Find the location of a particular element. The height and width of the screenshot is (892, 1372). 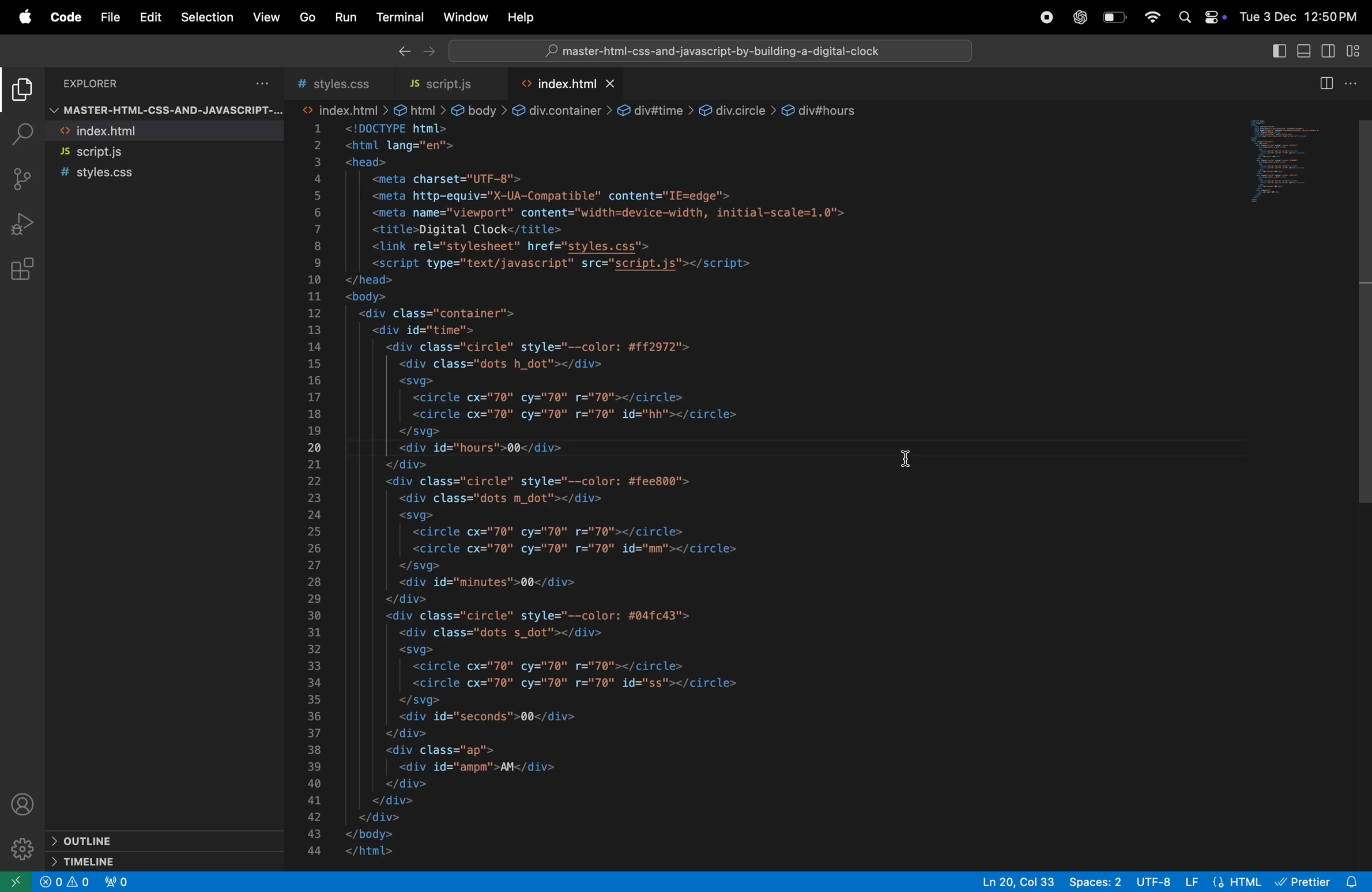

java script is located at coordinates (1211, 881).